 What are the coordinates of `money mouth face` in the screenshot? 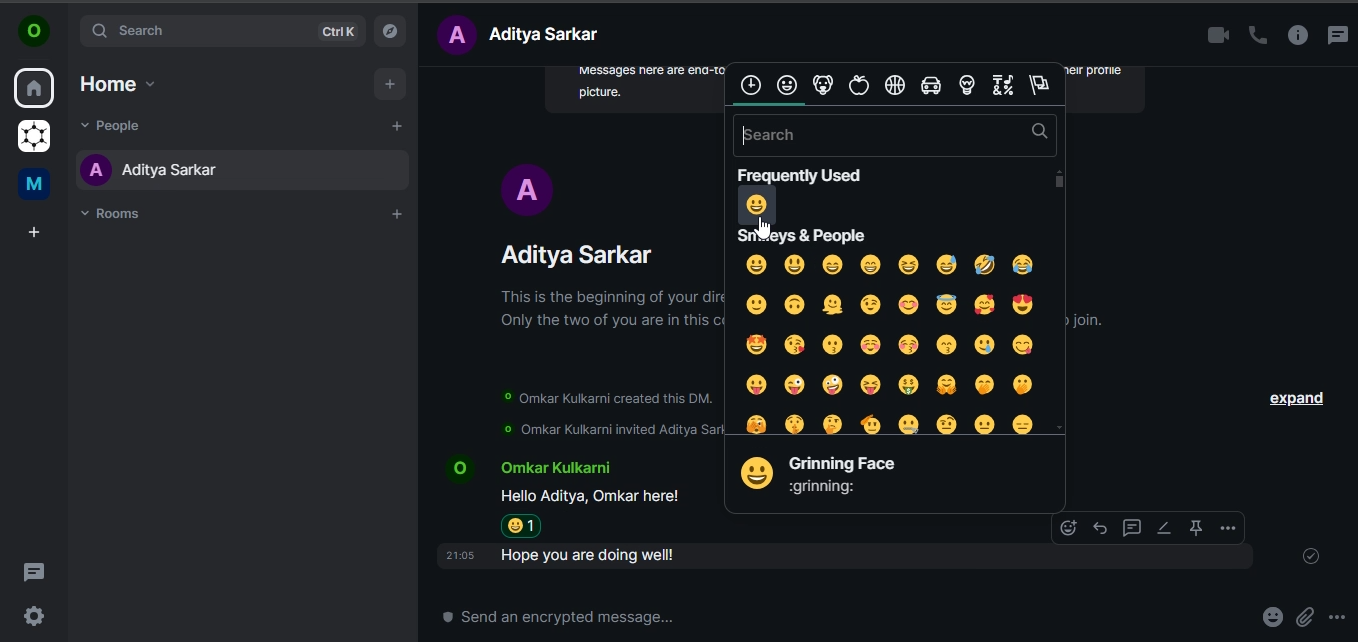 It's located at (909, 383).